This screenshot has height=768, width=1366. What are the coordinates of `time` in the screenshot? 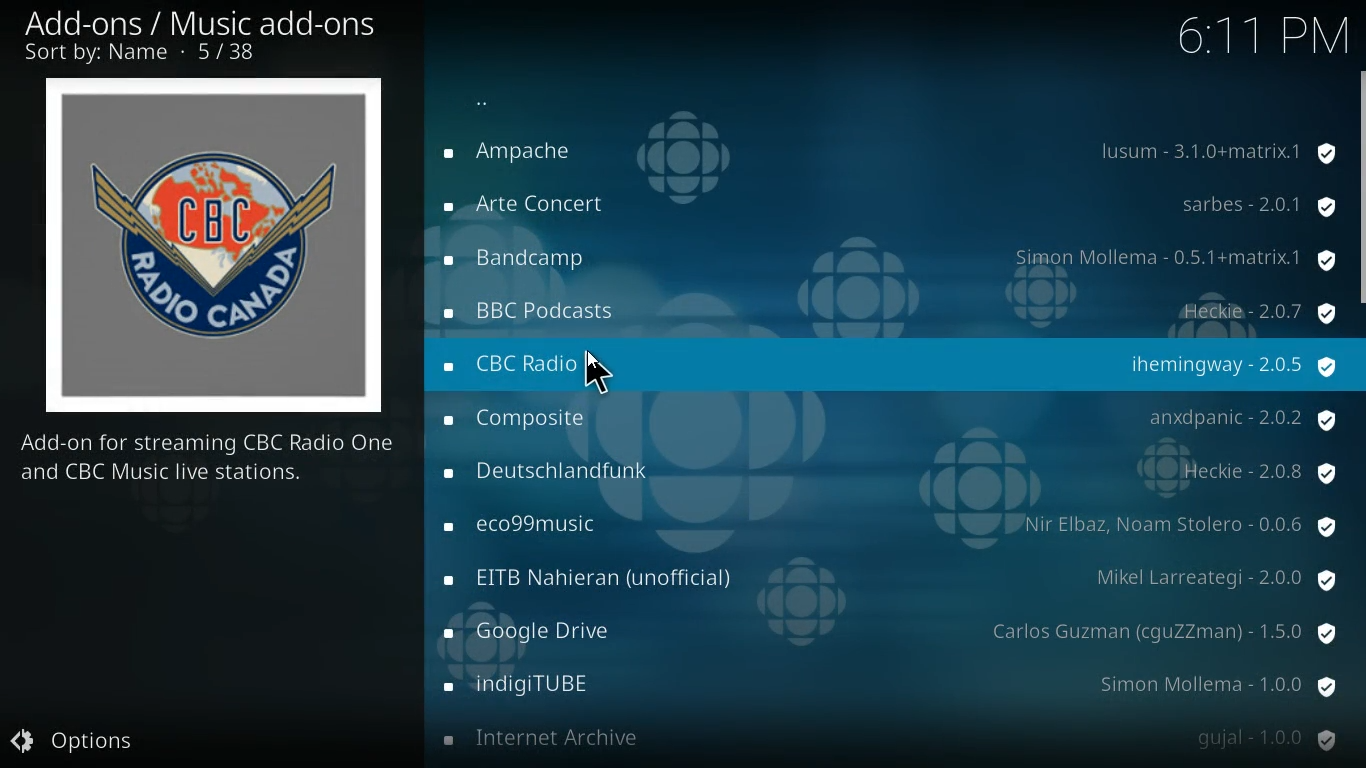 It's located at (1256, 36).